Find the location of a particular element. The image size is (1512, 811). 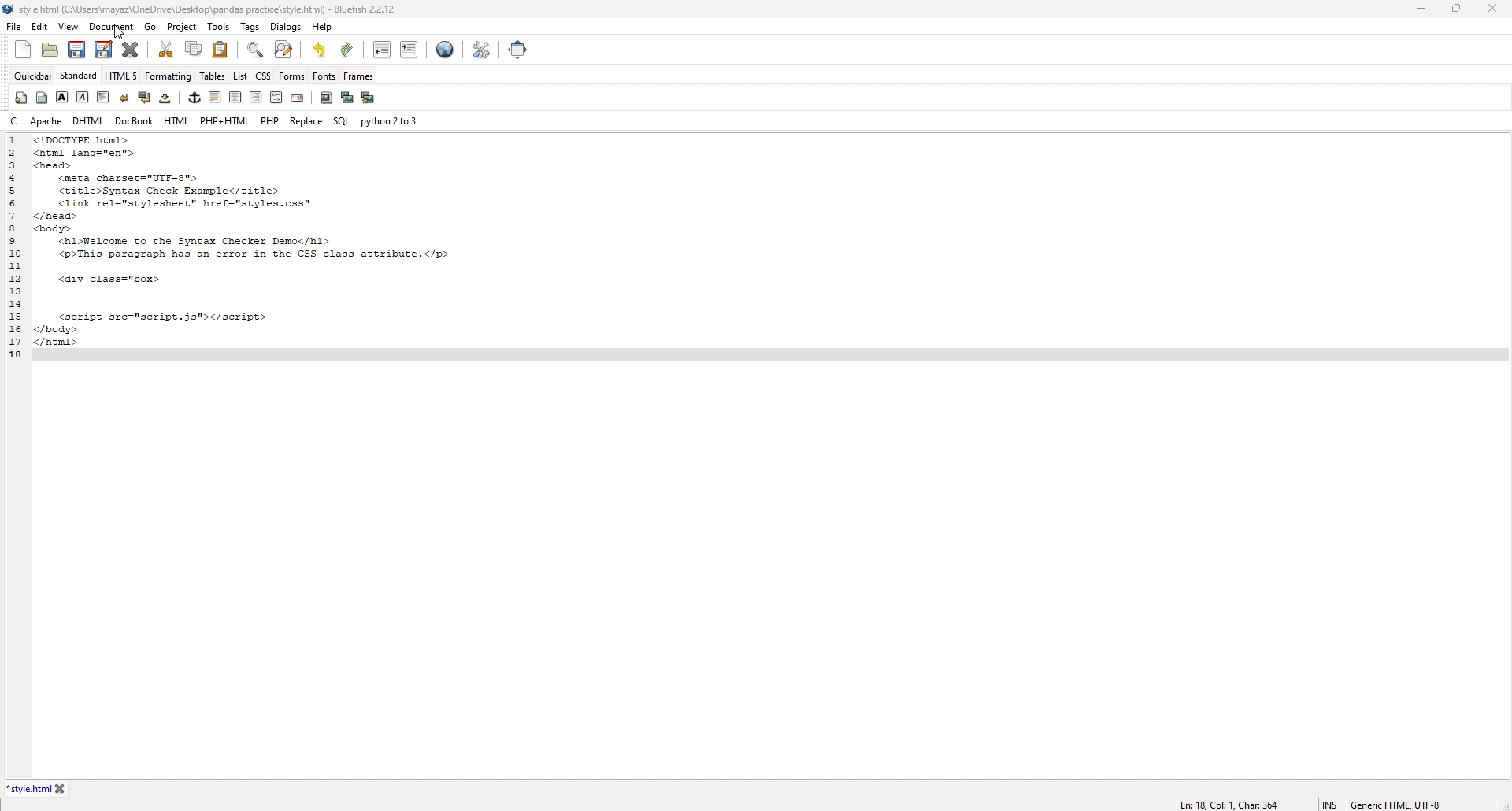

replace is located at coordinates (307, 121).